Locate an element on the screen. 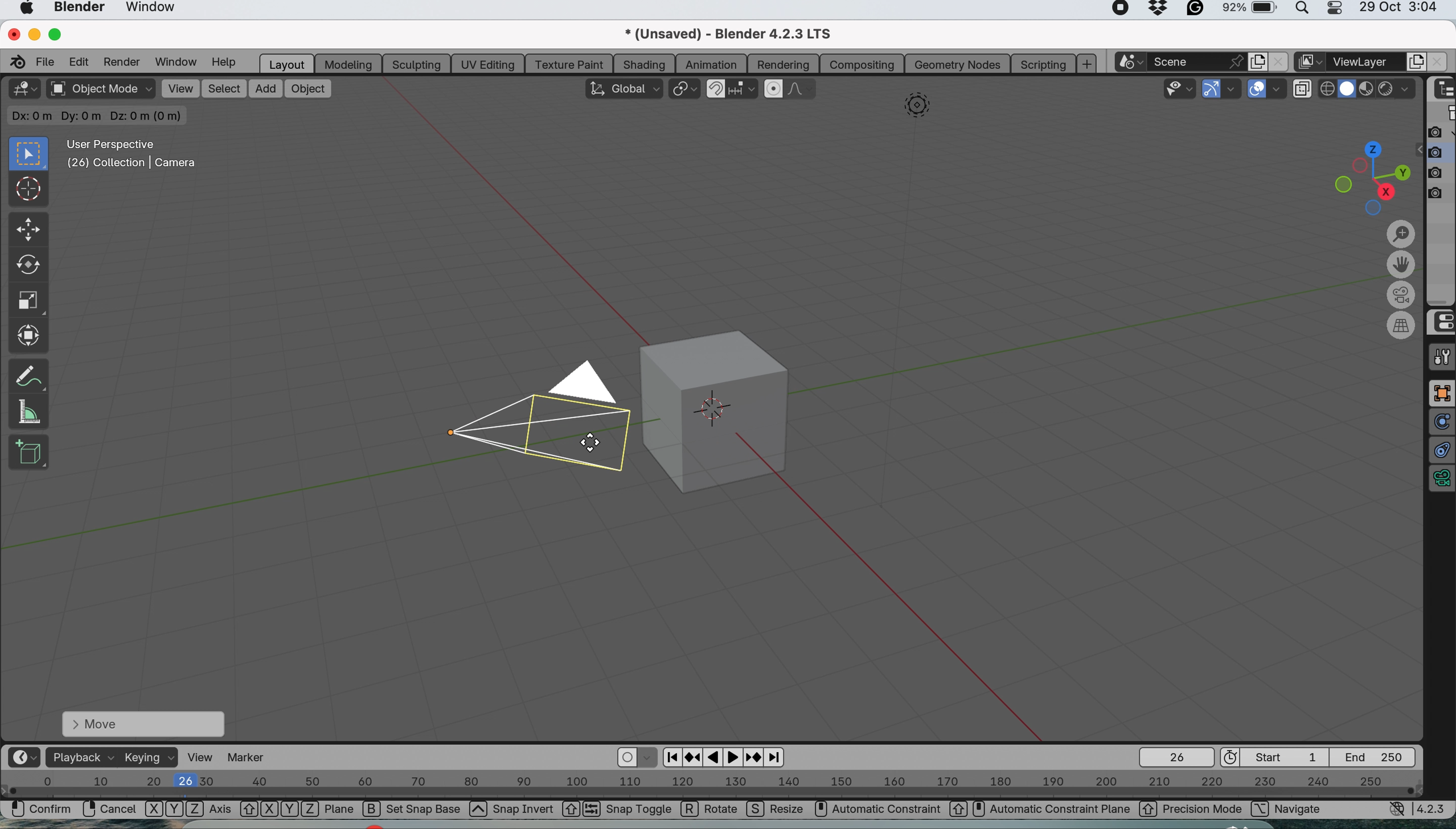  Rotate is located at coordinates (711, 810).